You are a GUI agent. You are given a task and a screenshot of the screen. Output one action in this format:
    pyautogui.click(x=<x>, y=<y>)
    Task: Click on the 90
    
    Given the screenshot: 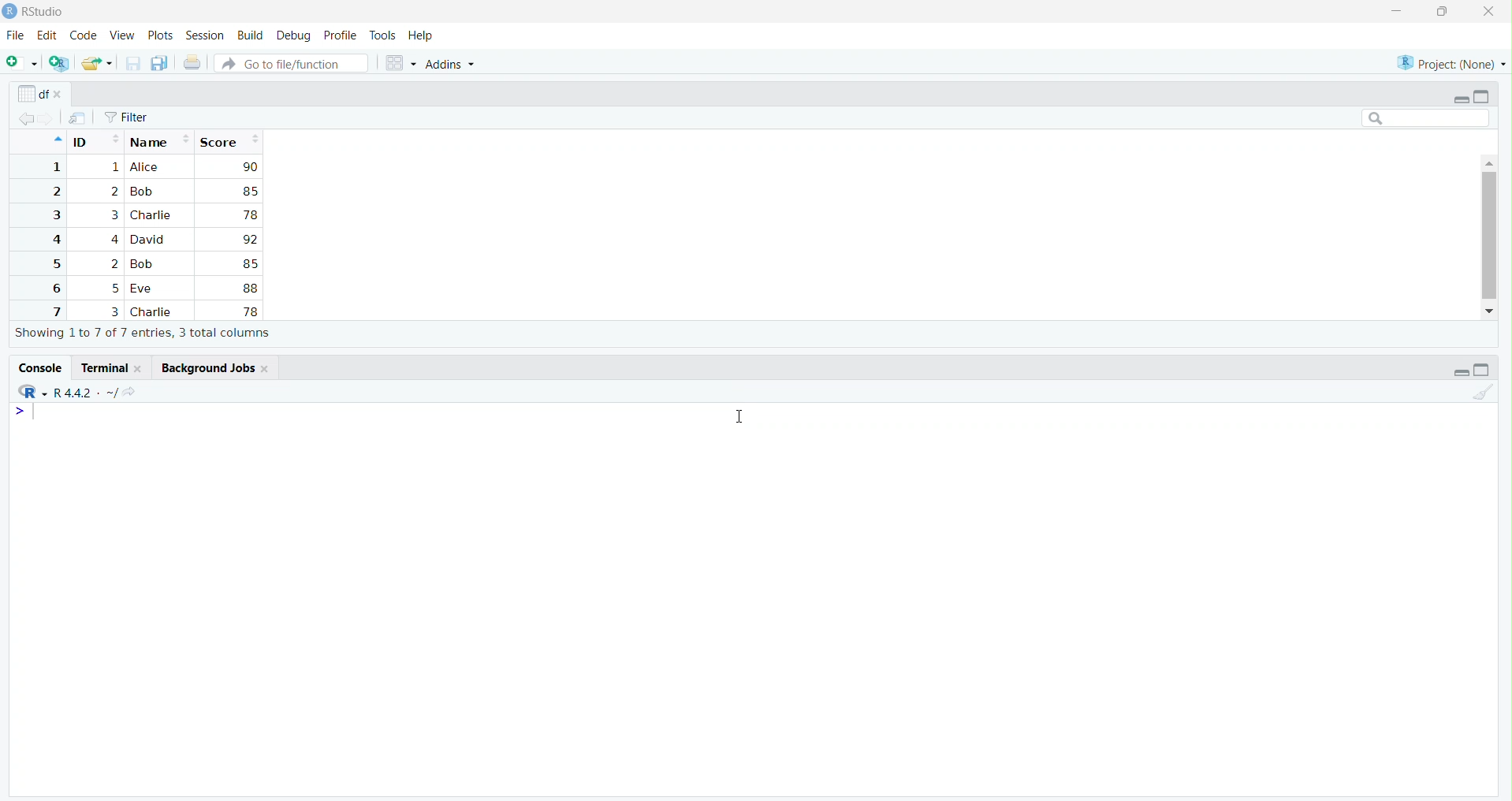 What is the action you would take?
    pyautogui.click(x=250, y=166)
    